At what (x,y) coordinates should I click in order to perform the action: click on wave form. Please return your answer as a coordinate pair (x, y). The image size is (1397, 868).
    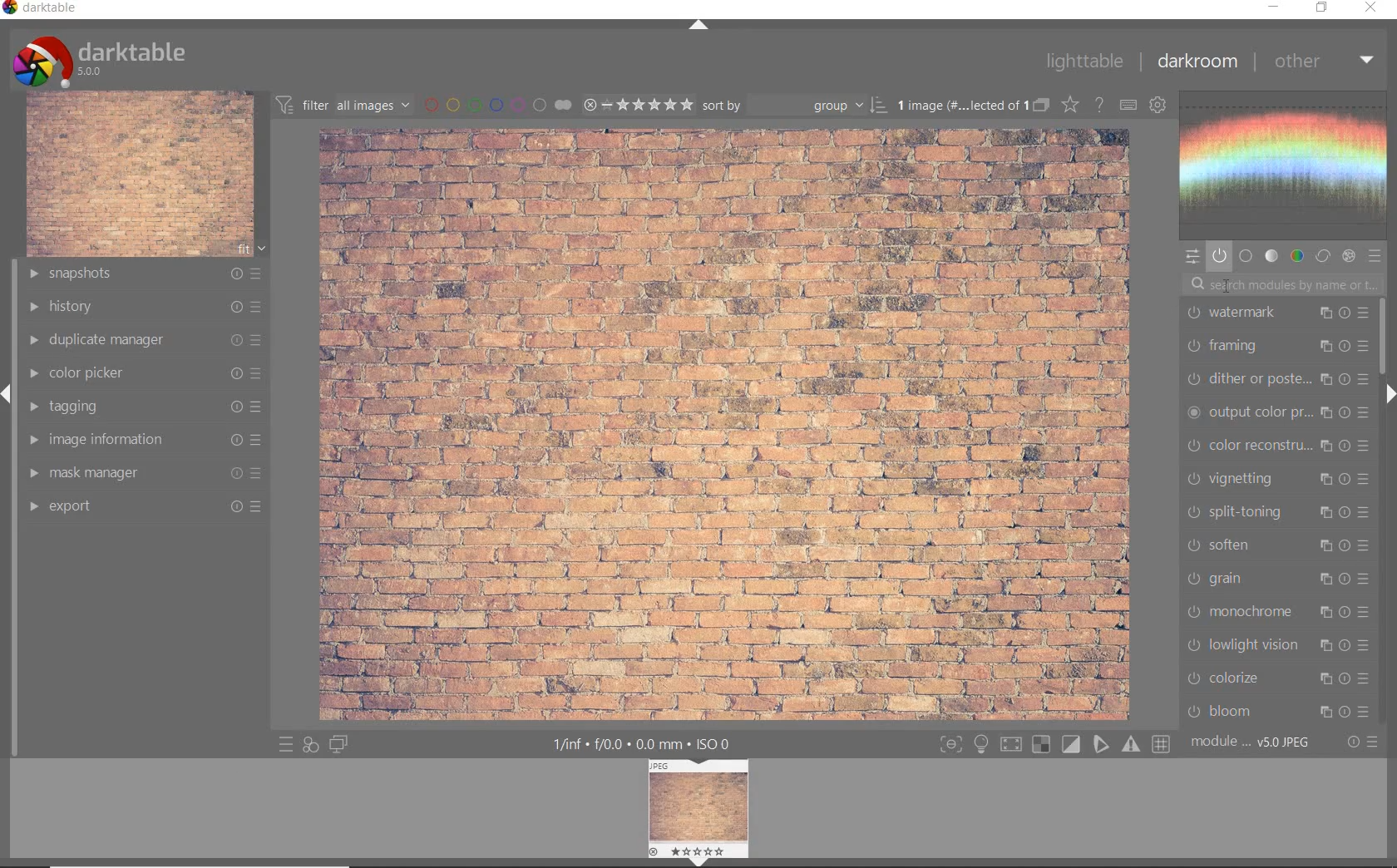
    Looking at the image, I should click on (1288, 165).